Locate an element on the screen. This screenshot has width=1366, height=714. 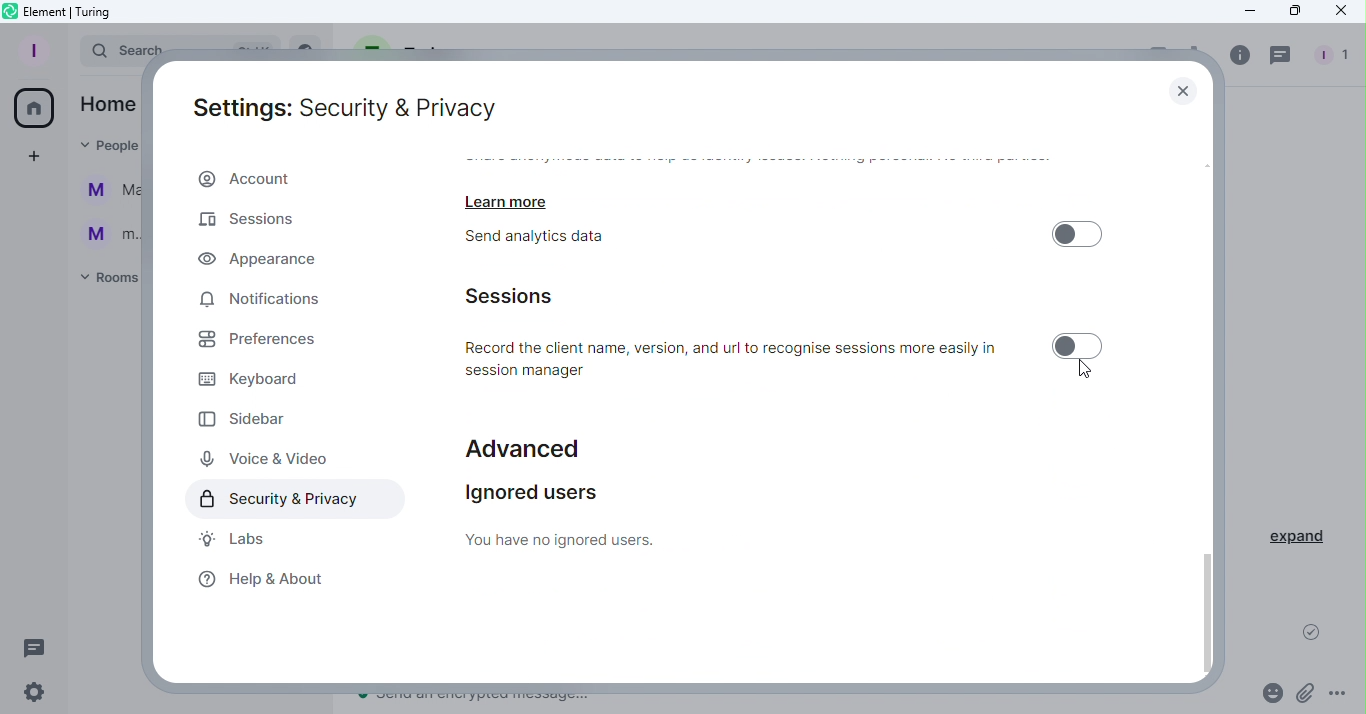
Threads is located at coordinates (38, 647).